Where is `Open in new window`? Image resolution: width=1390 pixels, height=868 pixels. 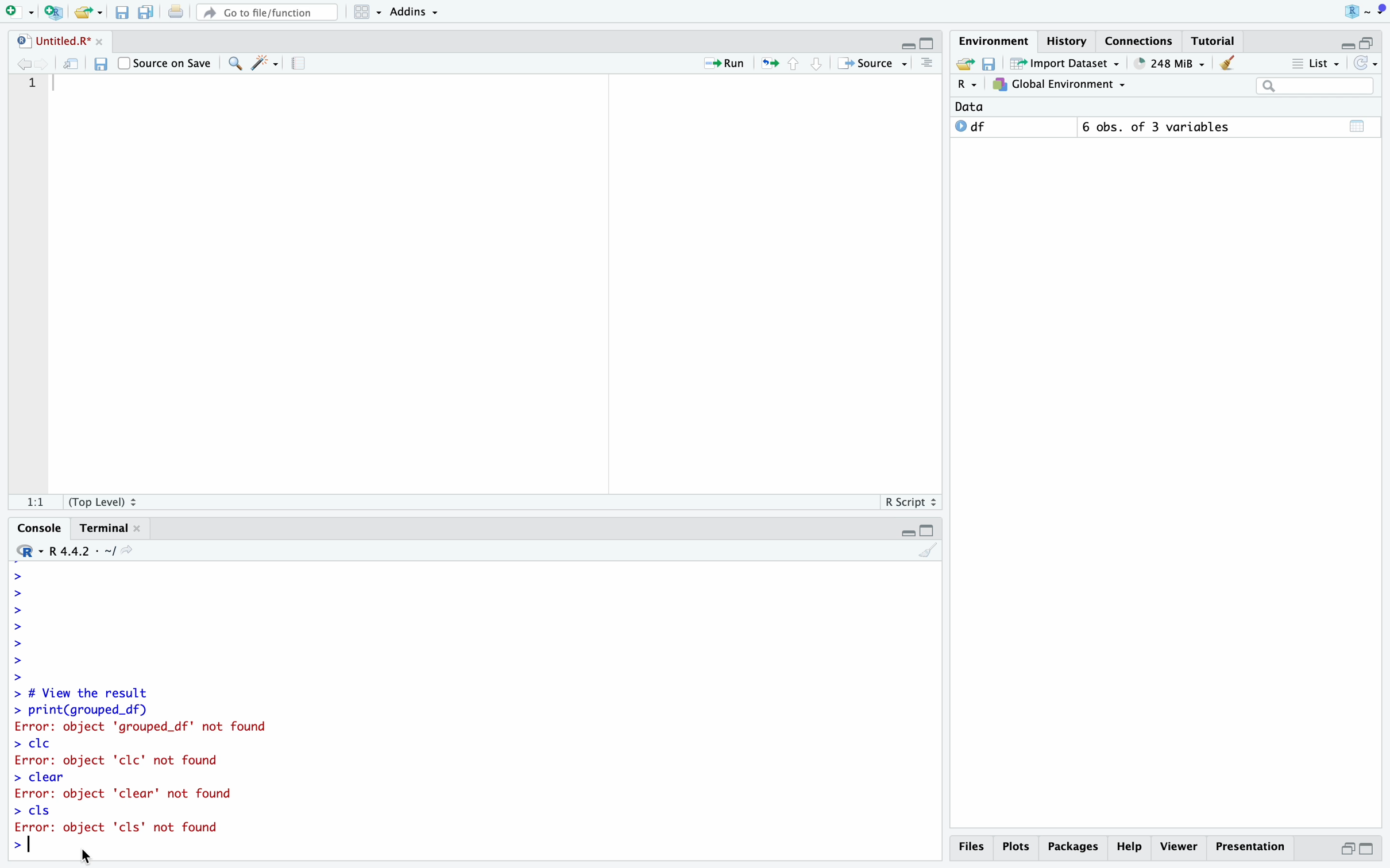 Open in new window is located at coordinates (73, 64).